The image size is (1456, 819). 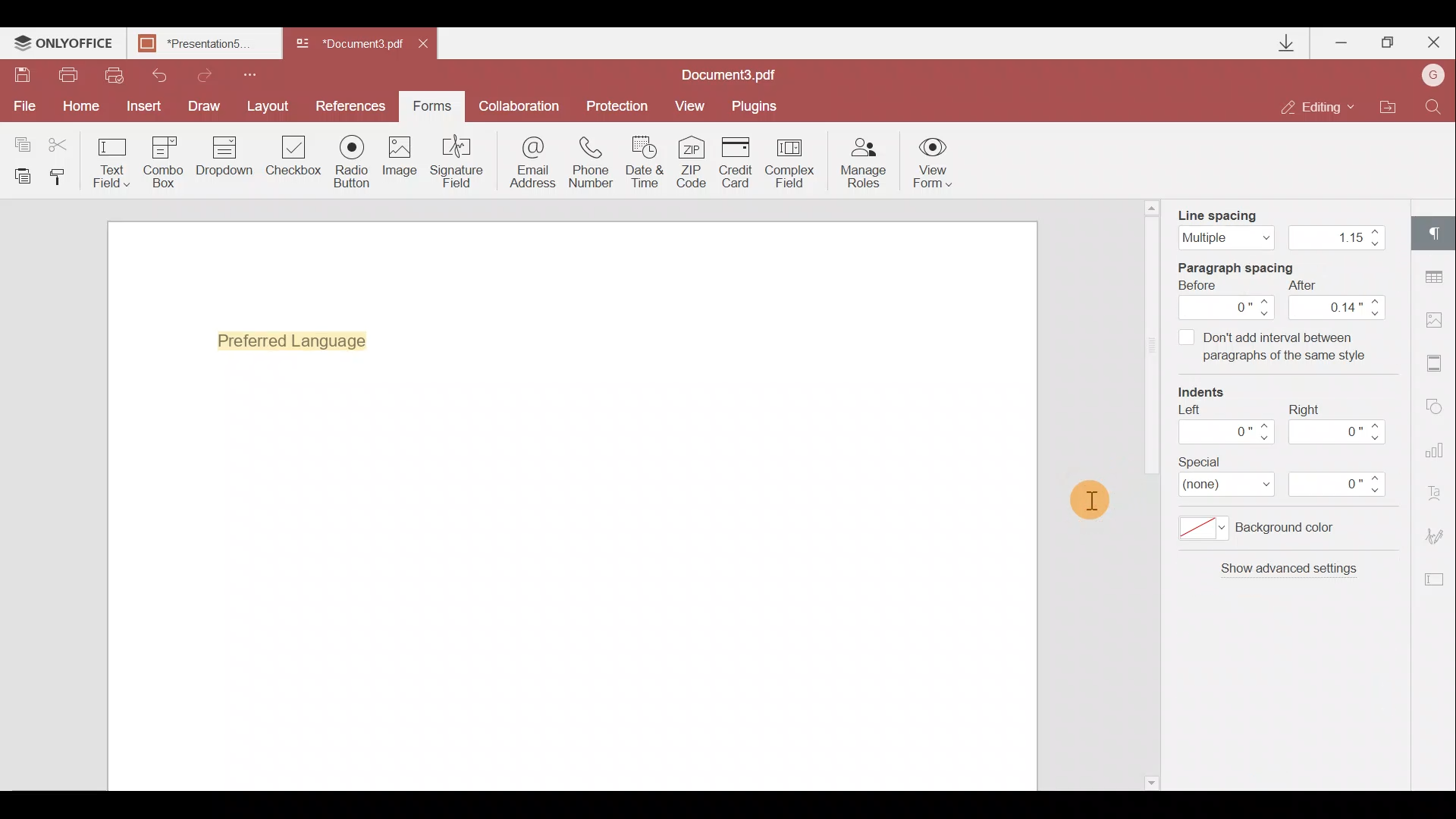 I want to click on 0", so click(x=1338, y=484).